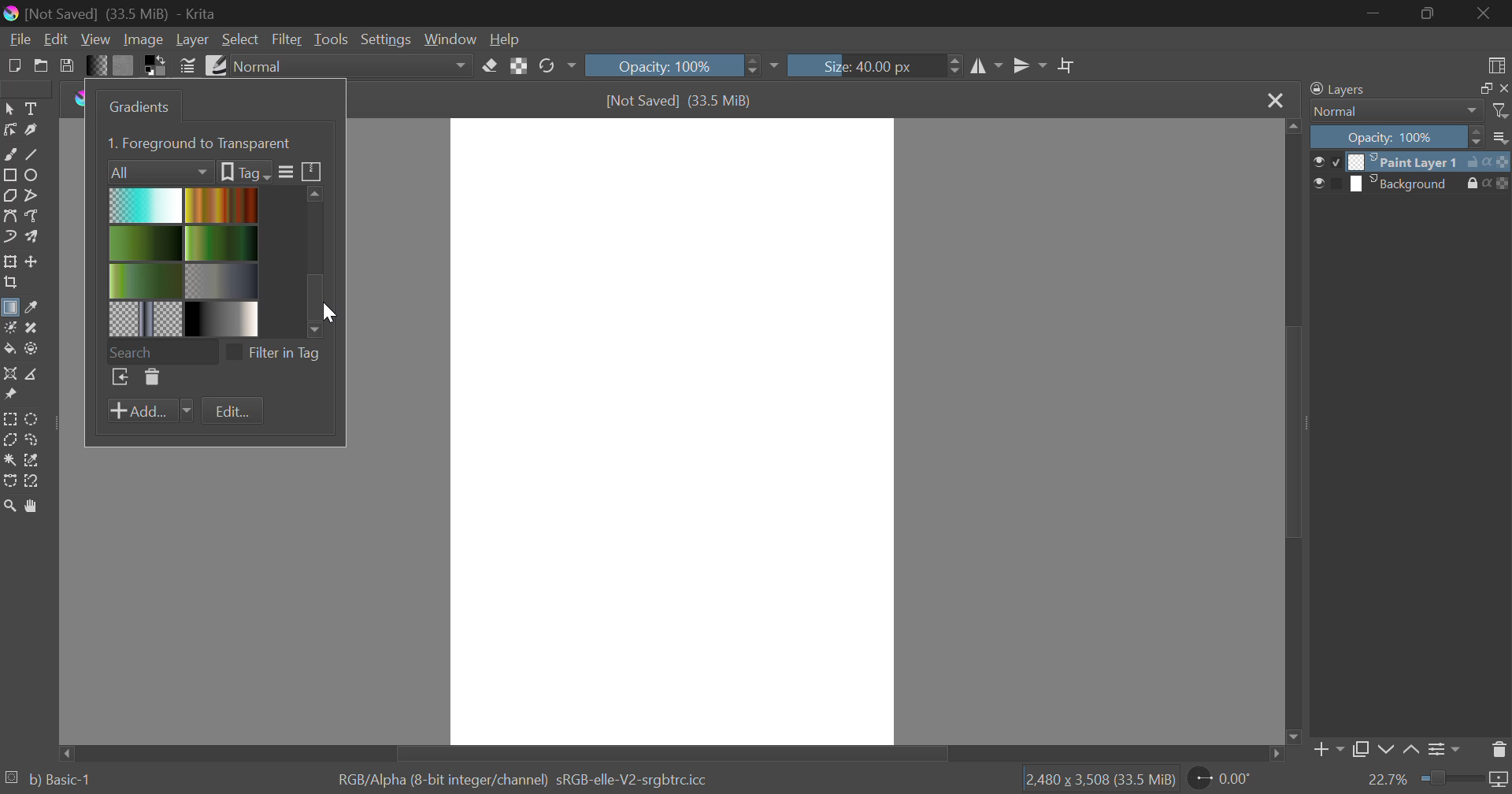 The width and height of the screenshot is (1512, 794). What do you see at coordinates (30, 107) in the screenshot?
I see `Text` at bounding box center [30, 107].